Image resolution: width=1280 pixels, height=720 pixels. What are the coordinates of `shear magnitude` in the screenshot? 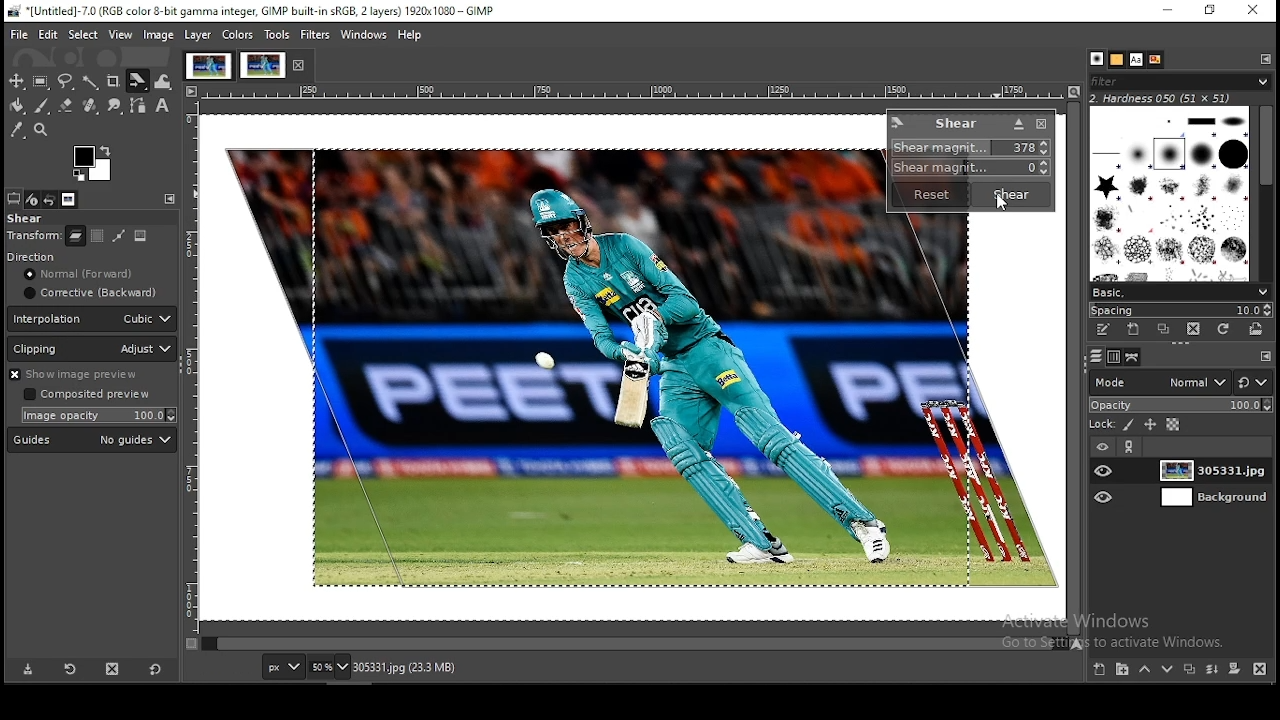 It's located at (973, 148).